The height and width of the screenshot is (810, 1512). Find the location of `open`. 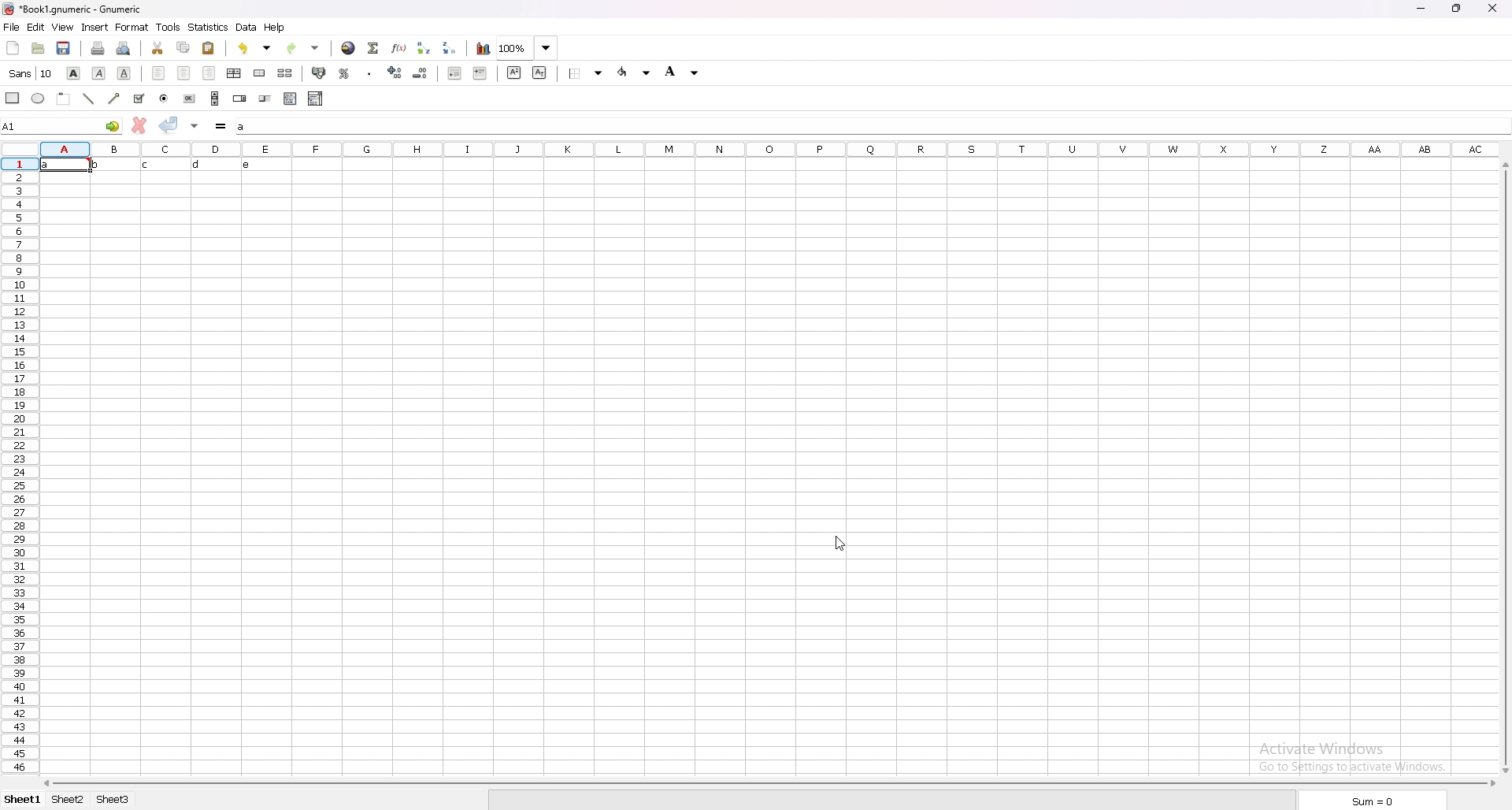

open is located at coordinates (39, 48).